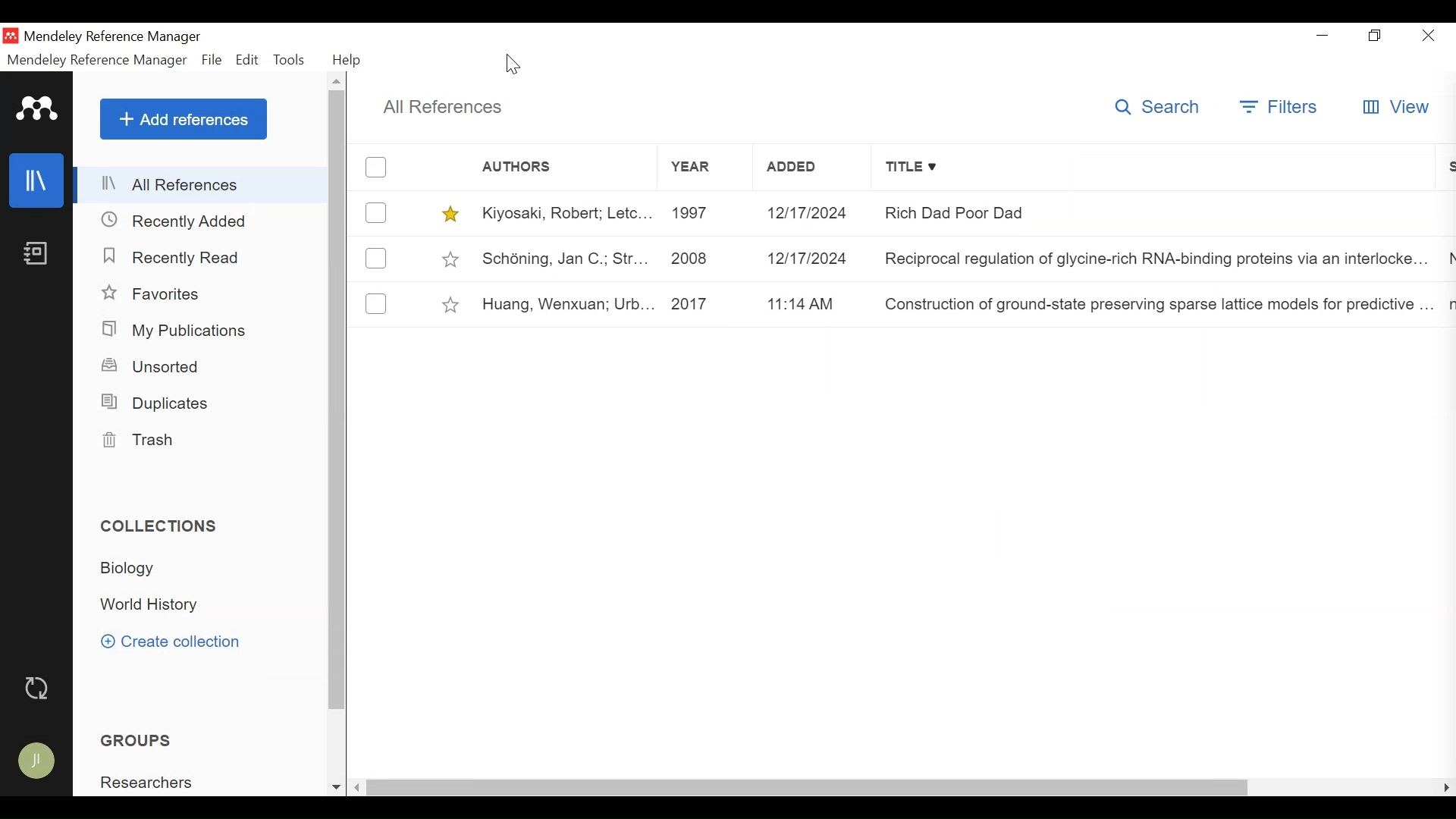  Describe the element at coordinates (336, 788) in the screenshot. I see `Scroll down` at that location.